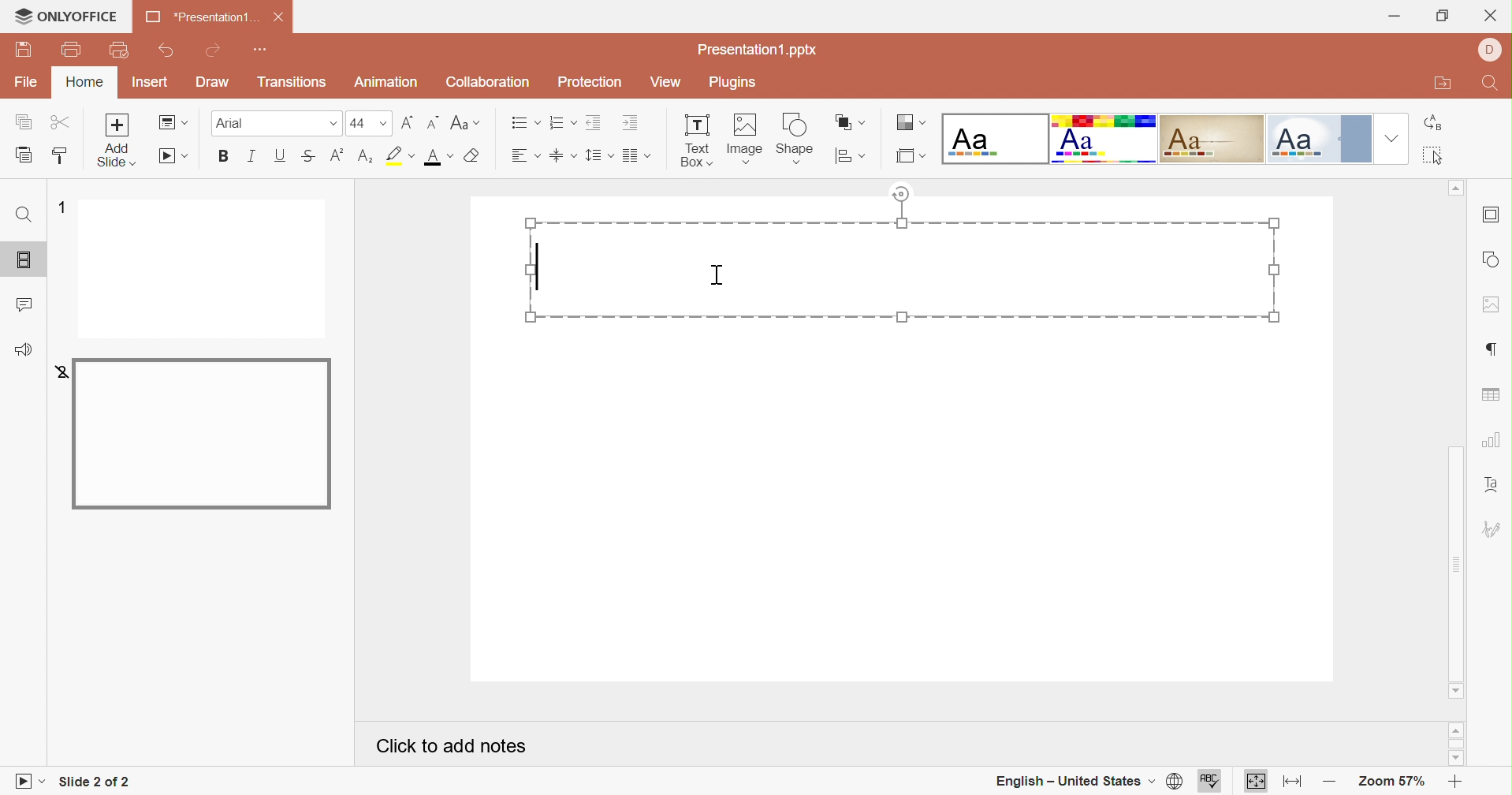  I want to click on Set document language, so click(1177, 782).